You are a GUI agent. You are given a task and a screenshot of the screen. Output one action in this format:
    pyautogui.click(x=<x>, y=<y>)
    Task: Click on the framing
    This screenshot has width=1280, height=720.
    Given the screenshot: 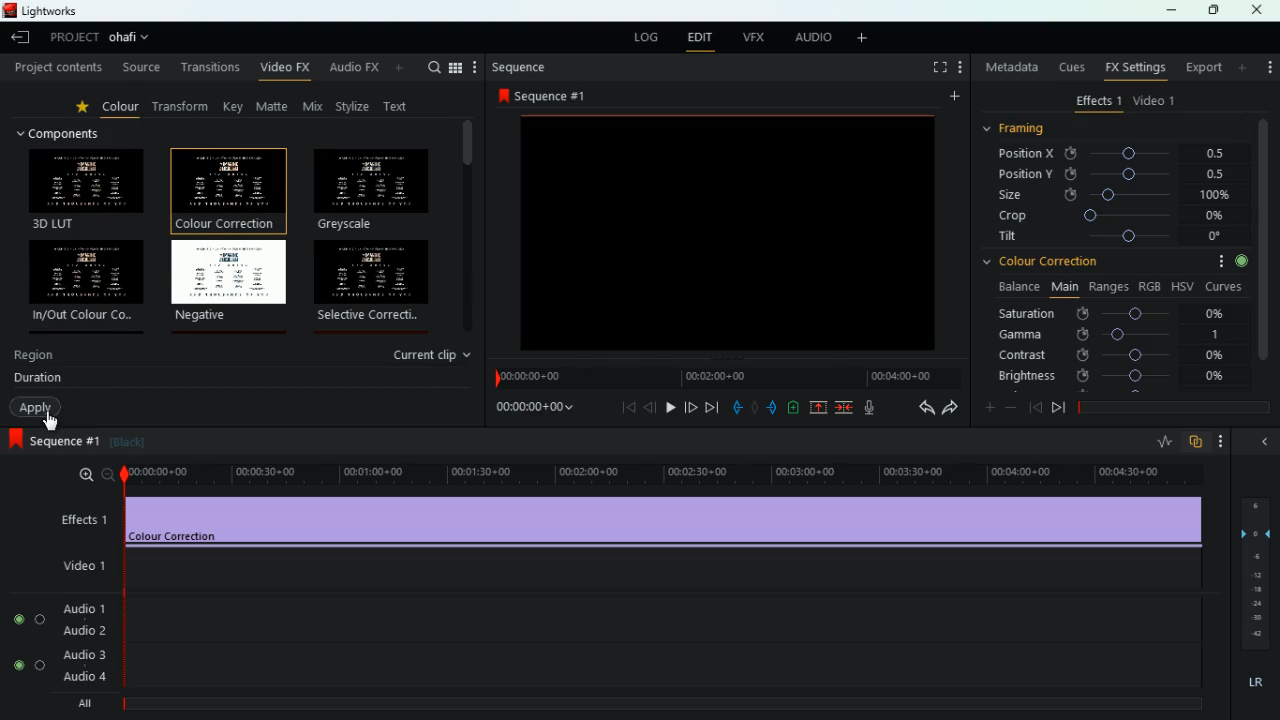 What is the action you would take?
    pyautogui.click(x=1016, y=128)
    